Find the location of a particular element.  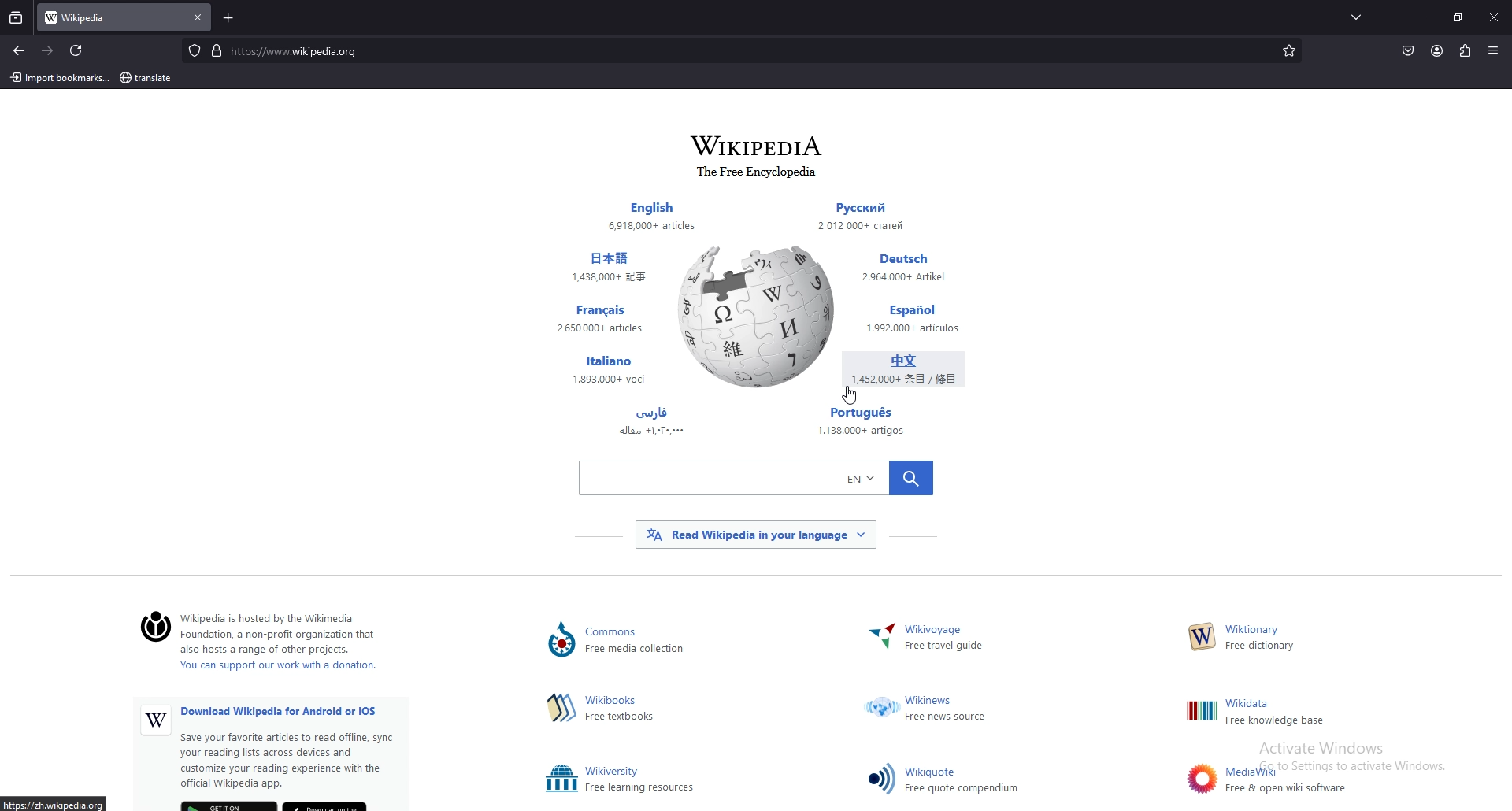

 is located at coordinates (300, 750).